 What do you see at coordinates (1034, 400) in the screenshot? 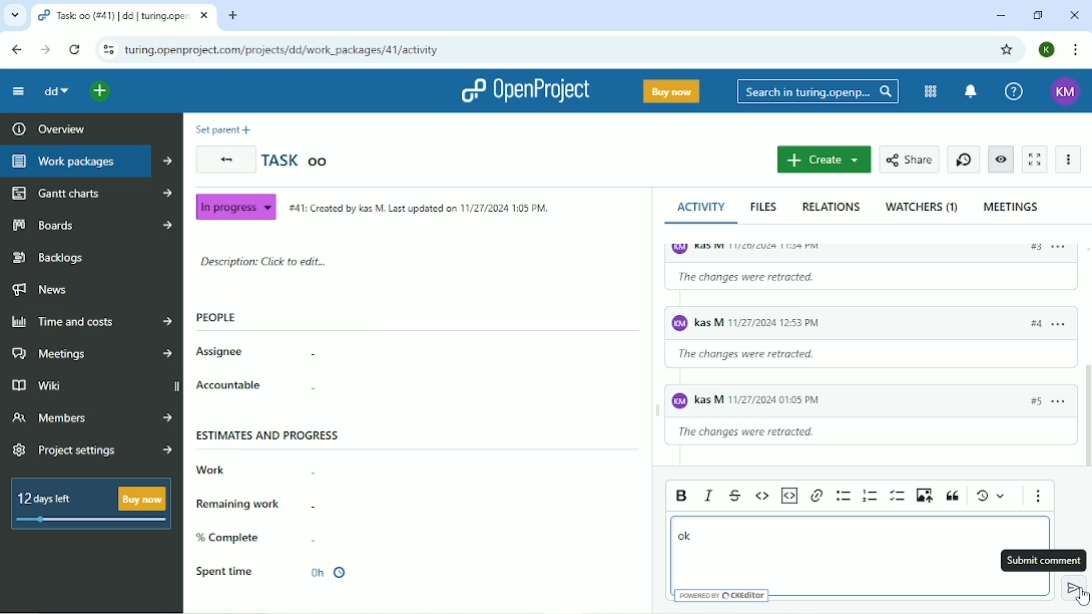
I see `#4` at bounding box center [1034, 400].